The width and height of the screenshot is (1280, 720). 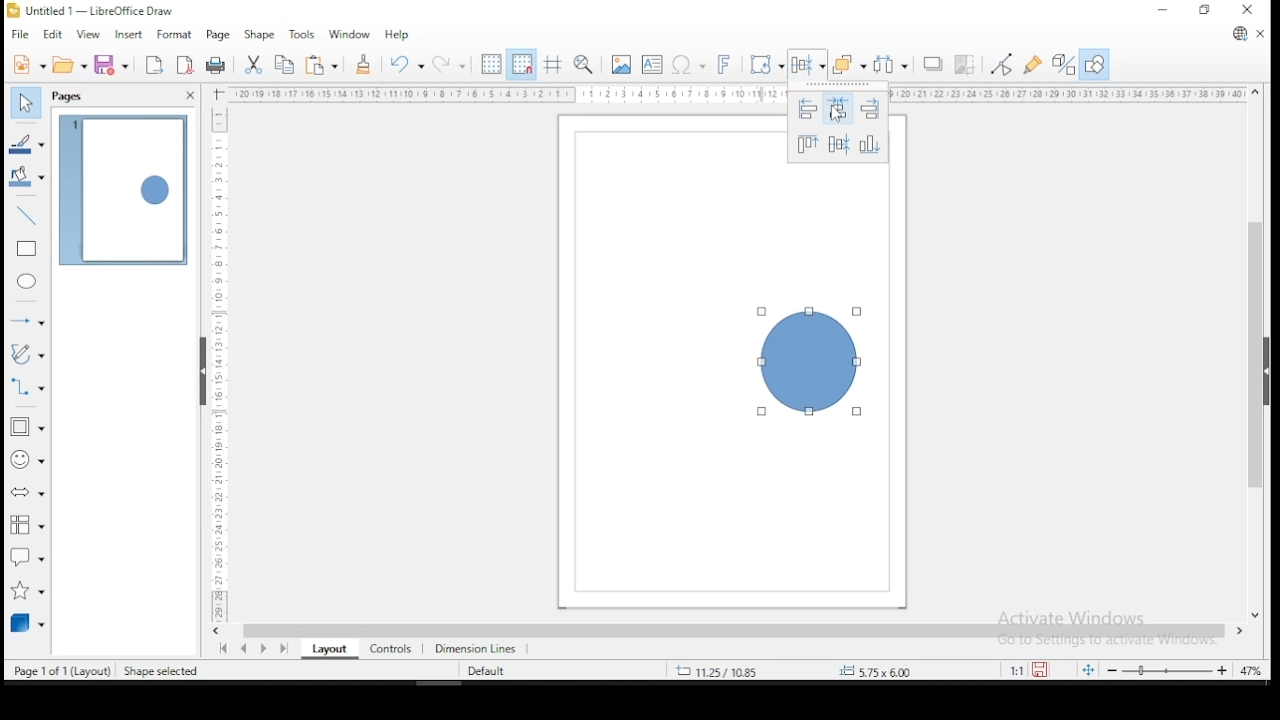 What do you see at coordinates (686, 63) in the screenshot?
I see `insert special characters` at bounding box center [686, 63].